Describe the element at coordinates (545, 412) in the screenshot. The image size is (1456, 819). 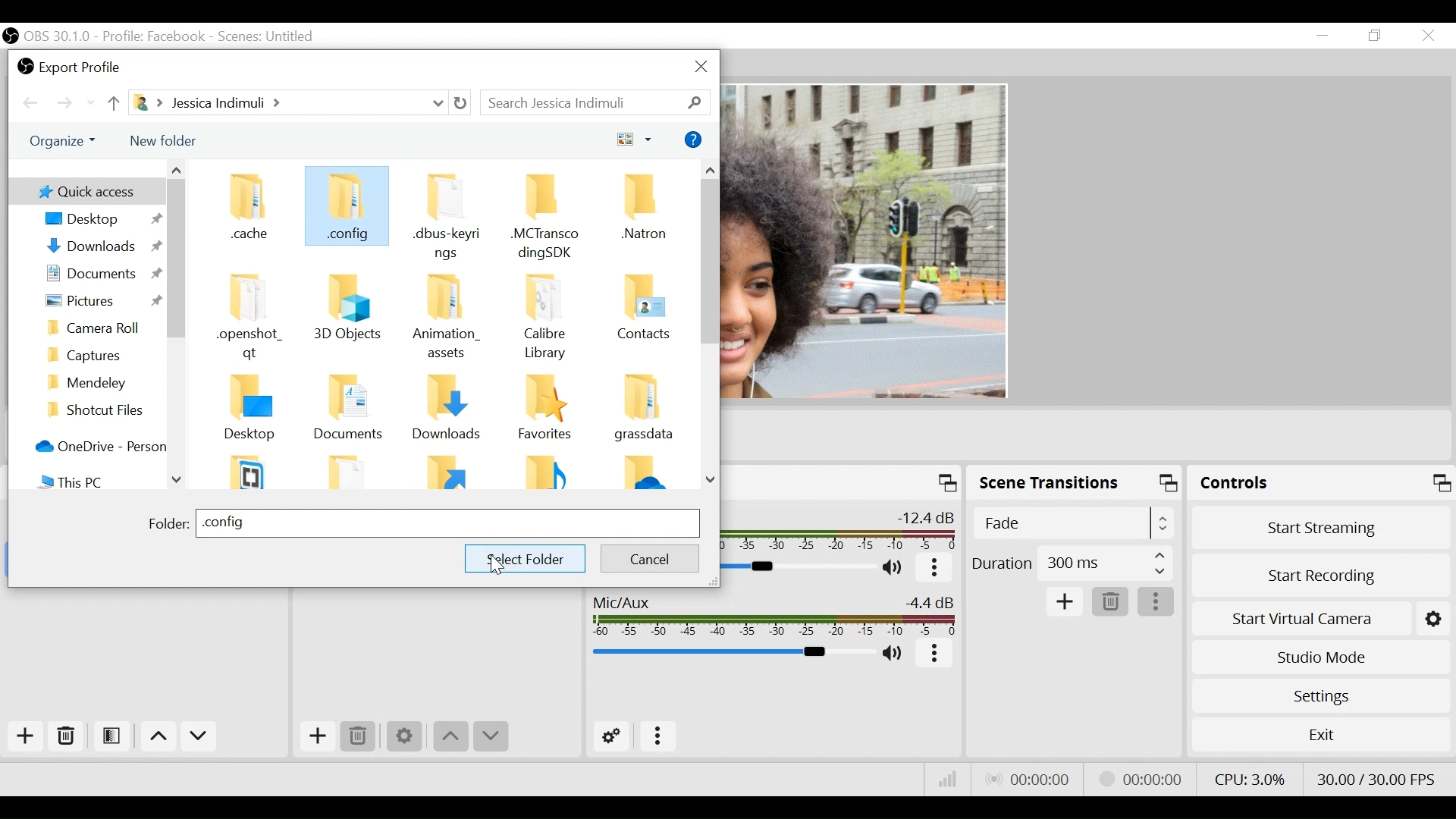
I see `Folder` at that location.